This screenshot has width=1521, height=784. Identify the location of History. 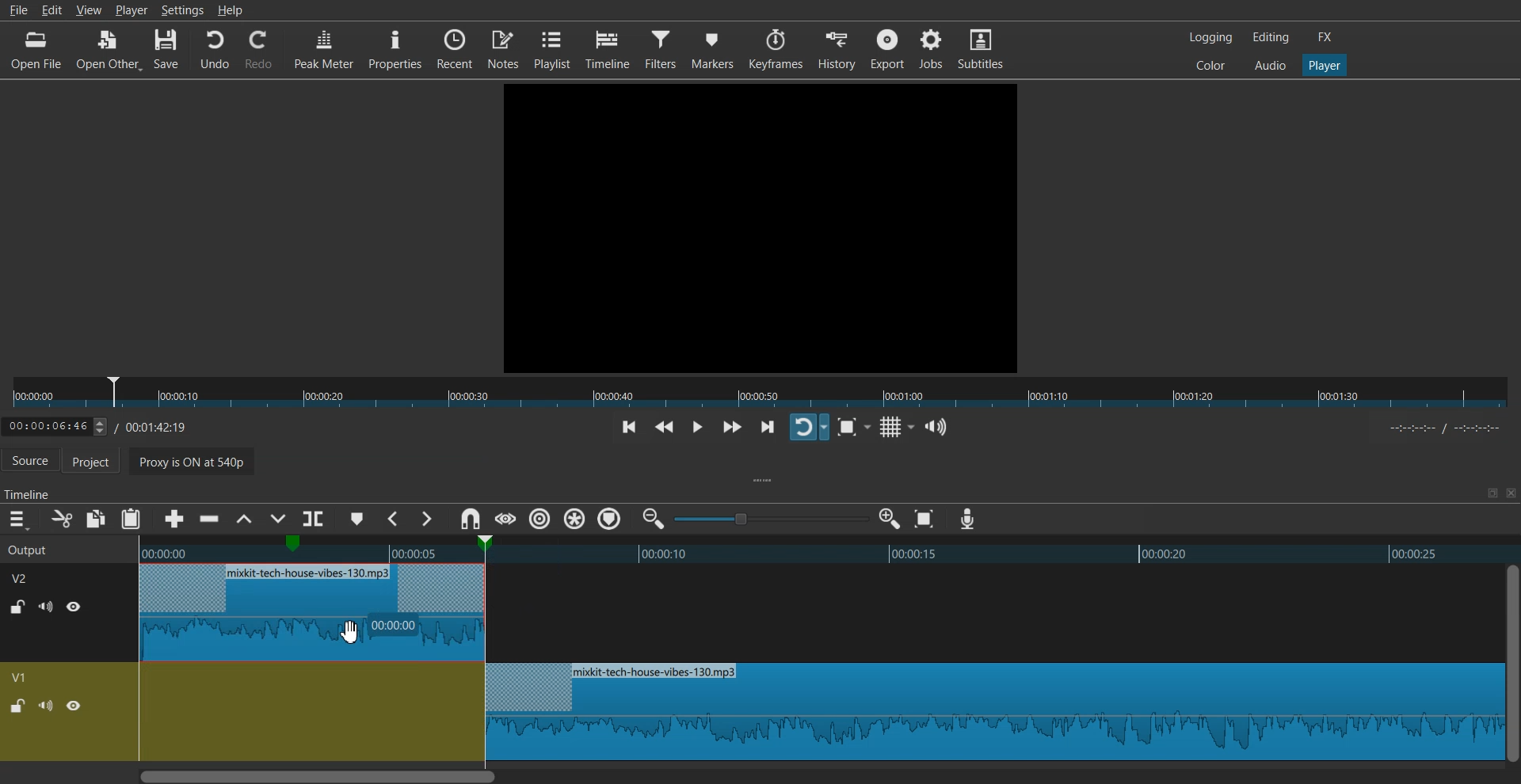
(838, 49).